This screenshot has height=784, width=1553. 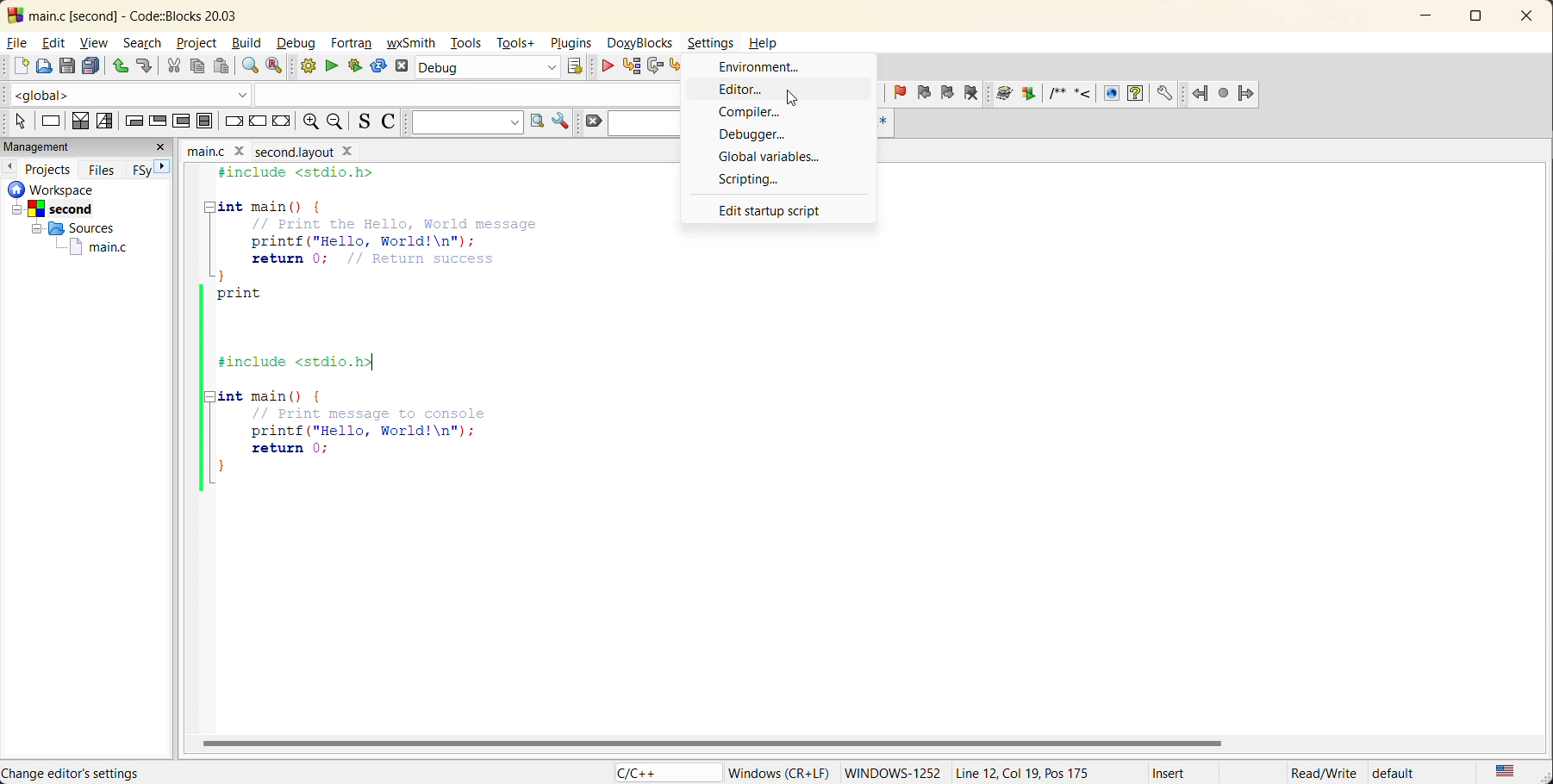 What do you see at coordinates (678, 65) in the screenshot?
I see `step into` at bounding box center [678, 65].